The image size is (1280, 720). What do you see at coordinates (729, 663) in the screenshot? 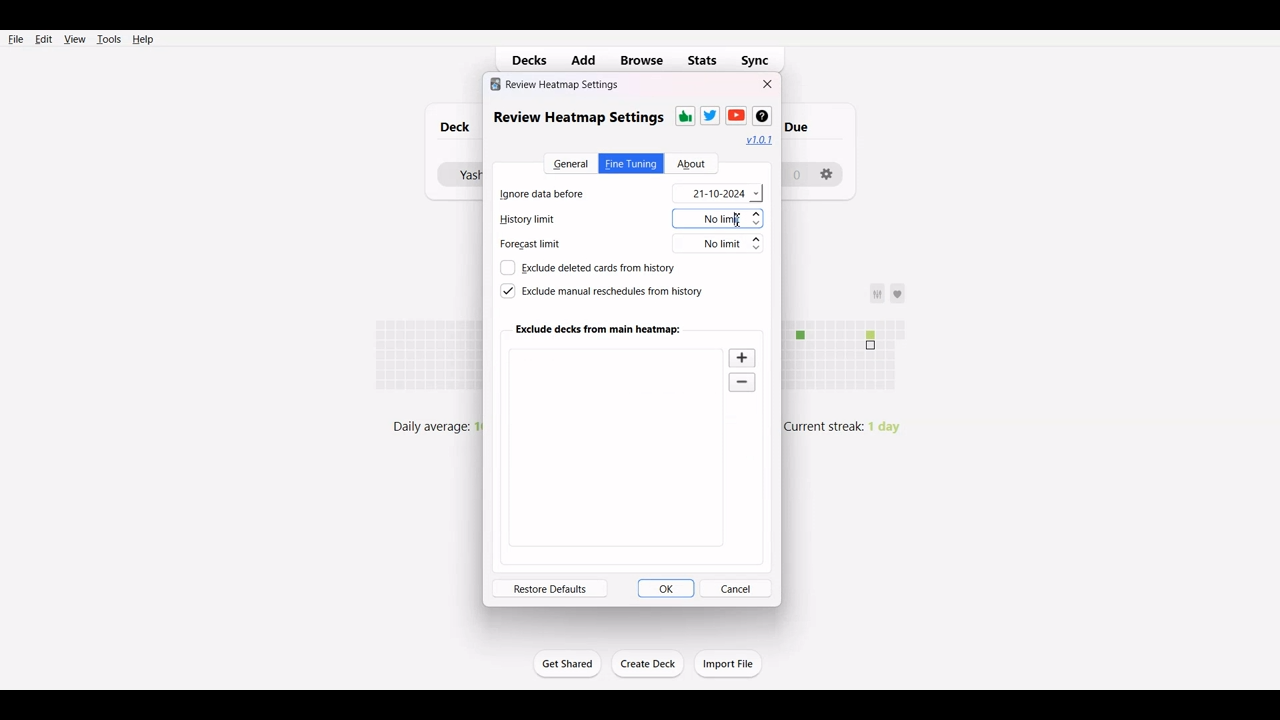
I see `Import File` at bounding box center [729, 663].